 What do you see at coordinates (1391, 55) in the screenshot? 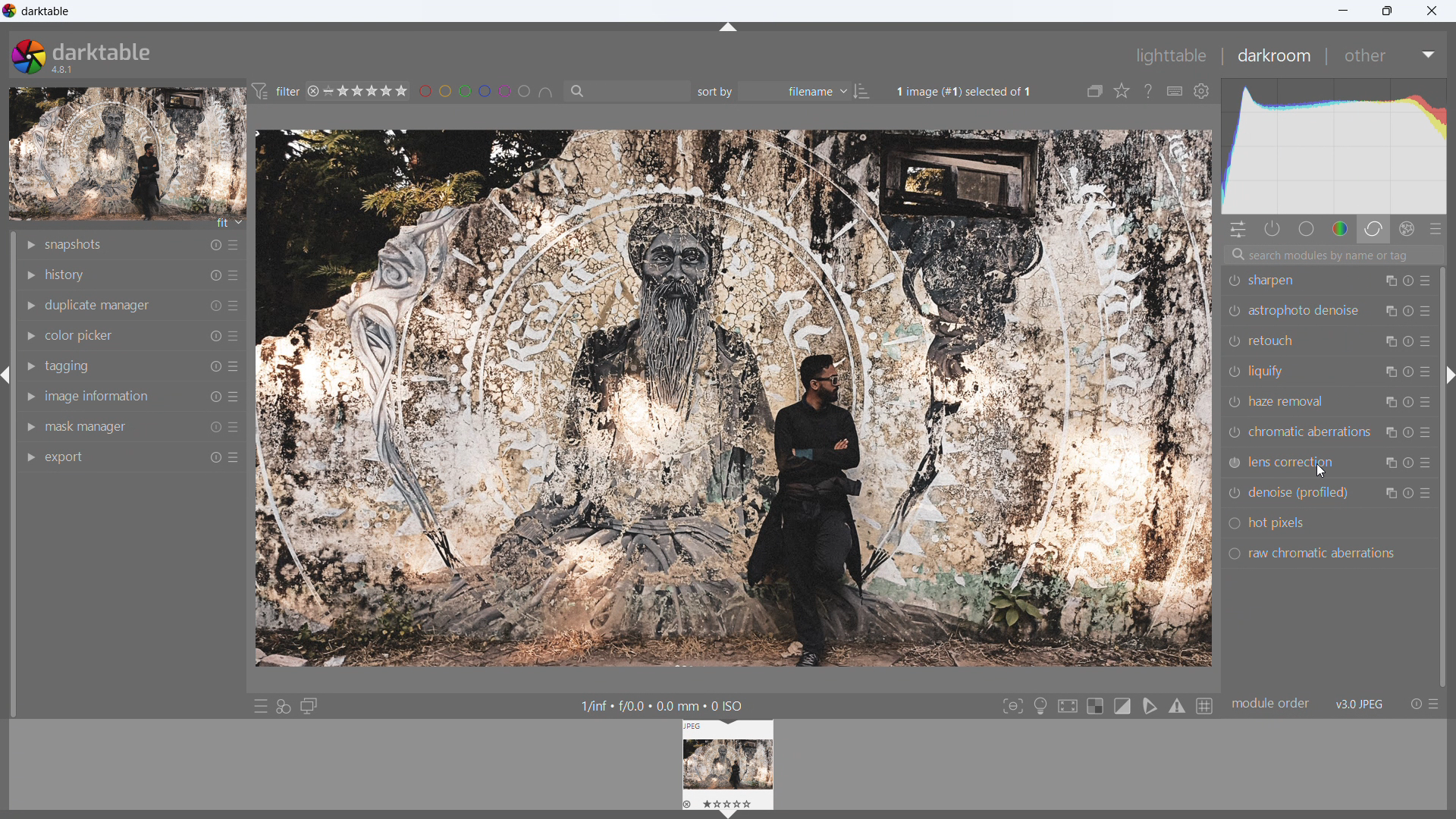
I see `other` at bounding box center [1391, 55].